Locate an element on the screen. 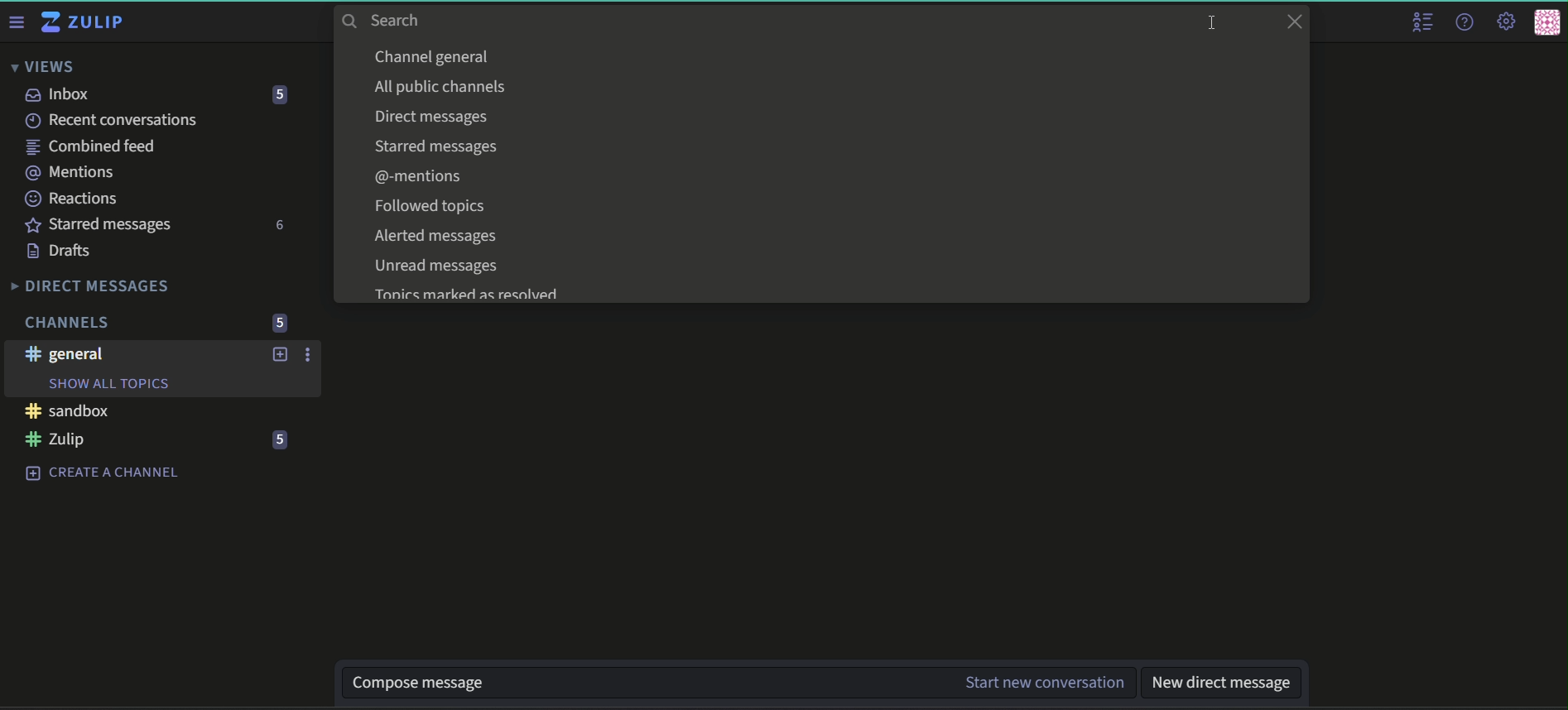 The height and width of the screenshot is (710, 1568). Drafts is located at coordinates (62, 250).